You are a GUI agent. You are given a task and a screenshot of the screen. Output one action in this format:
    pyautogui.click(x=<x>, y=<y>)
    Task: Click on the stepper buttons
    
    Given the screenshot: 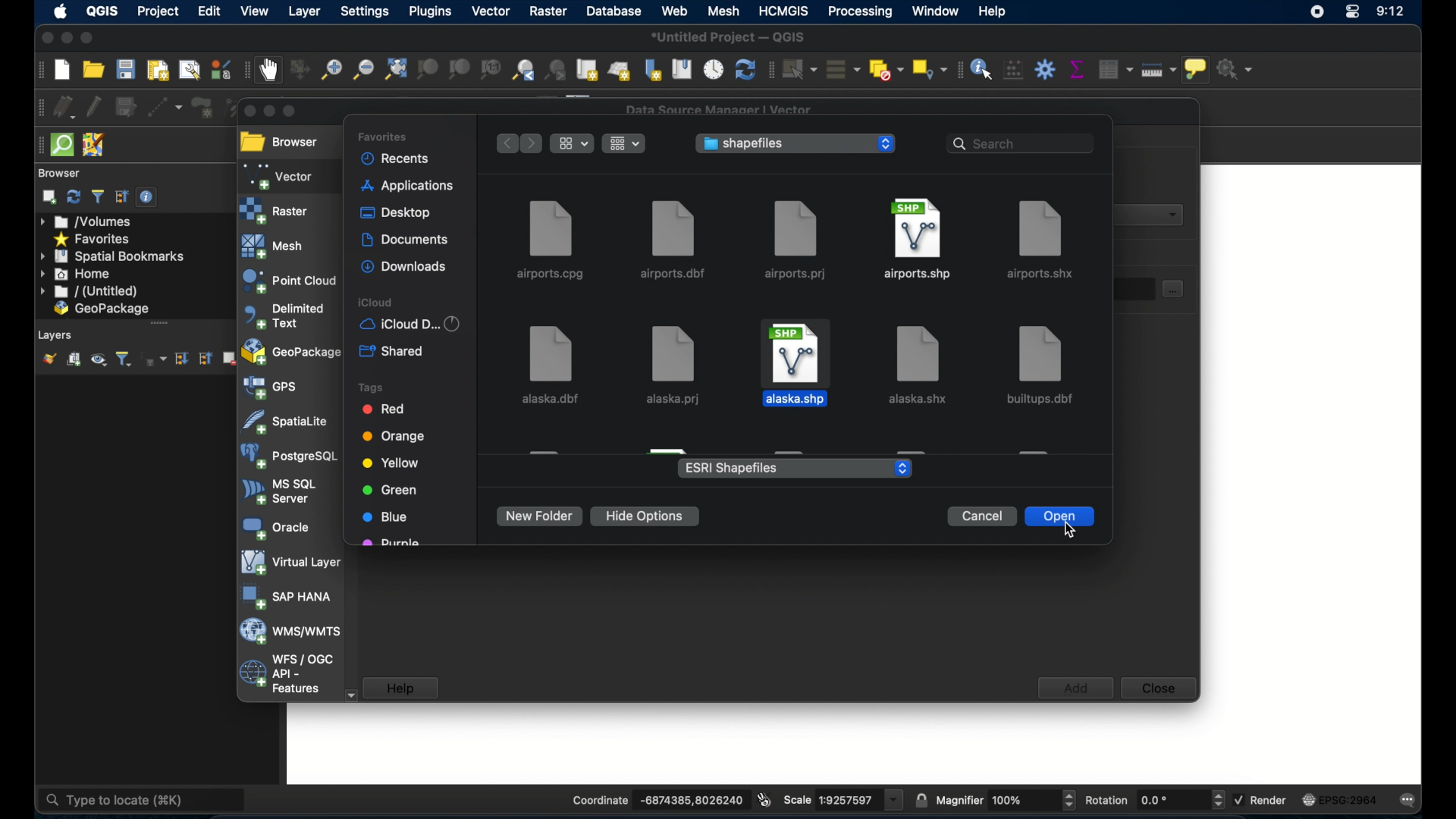 What is the action you would take?
    pyautogui.click(x=902, y=469)
    